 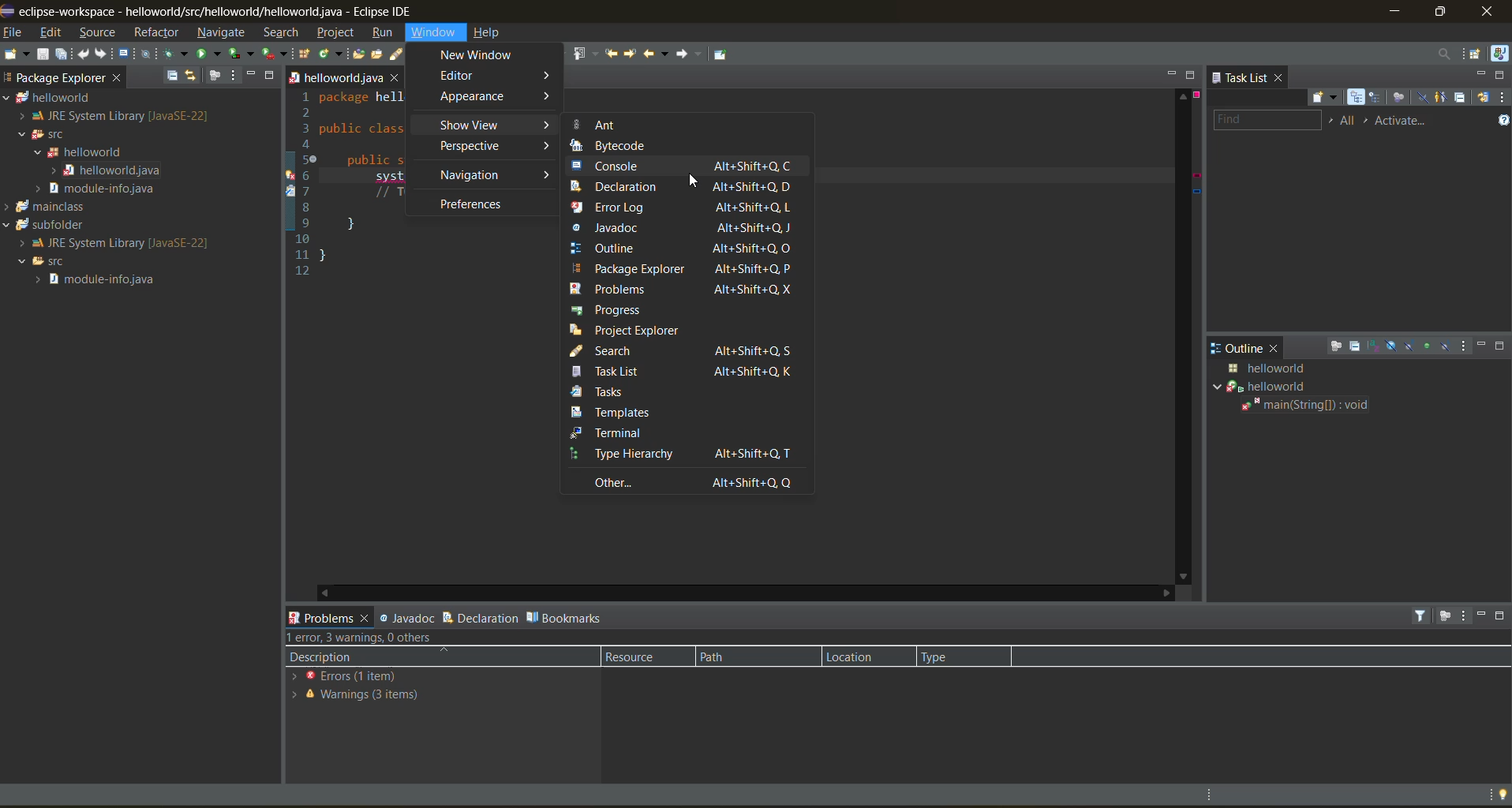 I want to click on tip of the day, so click(x=1501, y=795).